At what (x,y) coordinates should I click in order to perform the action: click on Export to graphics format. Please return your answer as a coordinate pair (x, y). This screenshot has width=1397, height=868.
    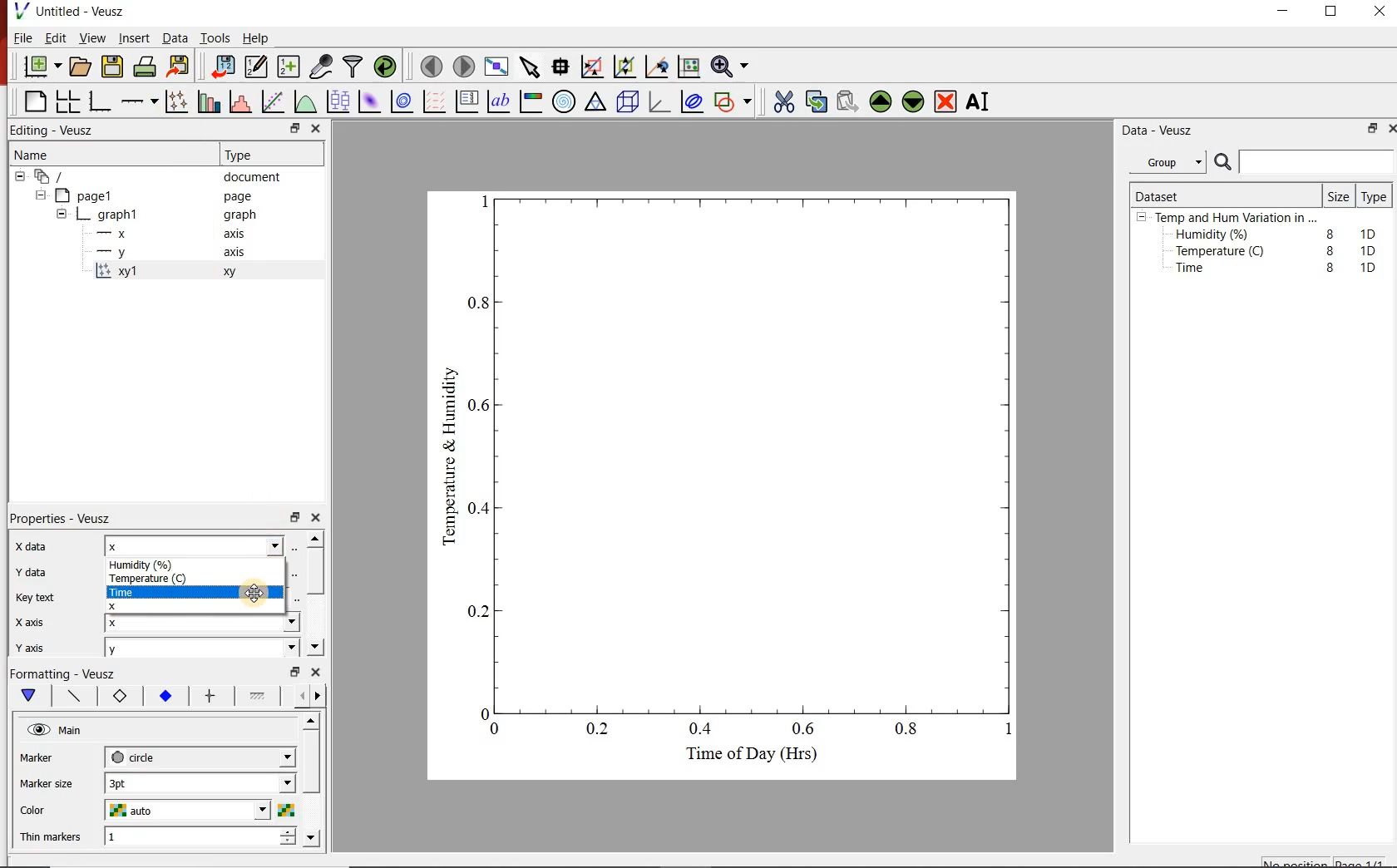
    Looking at the image, I should click on (180, 66).